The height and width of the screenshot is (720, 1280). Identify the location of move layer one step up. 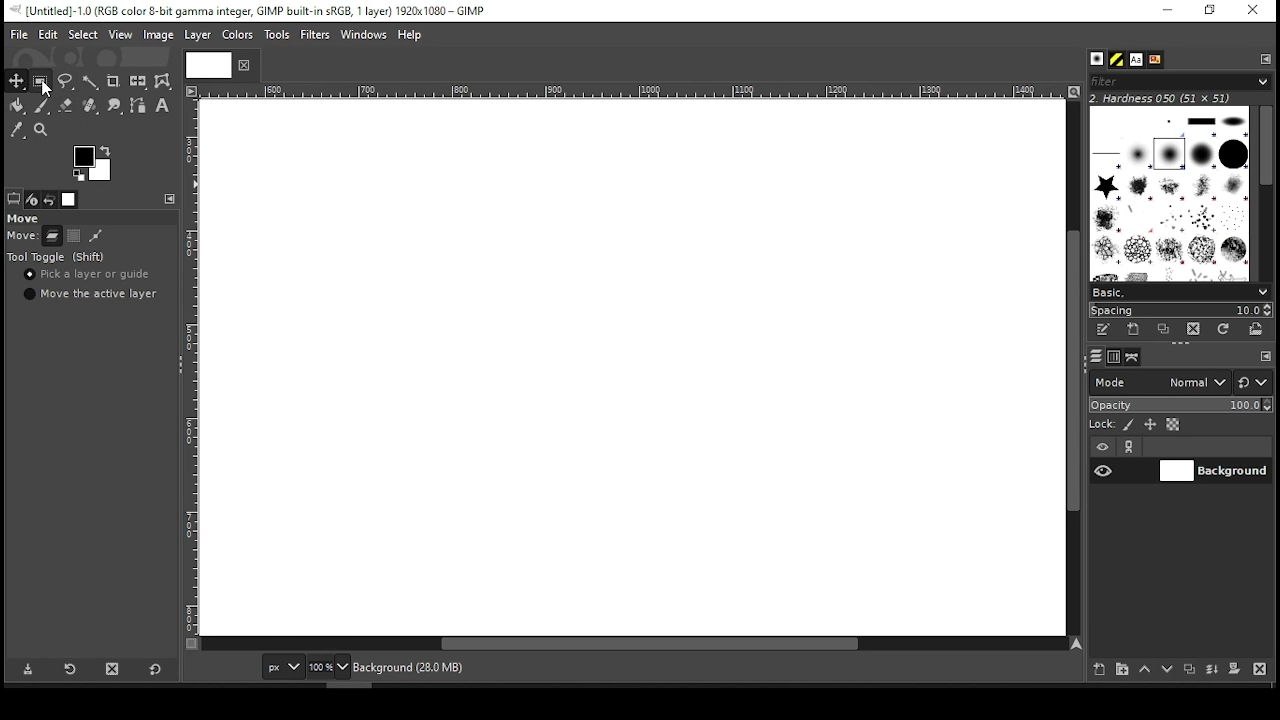
(1145, 671).